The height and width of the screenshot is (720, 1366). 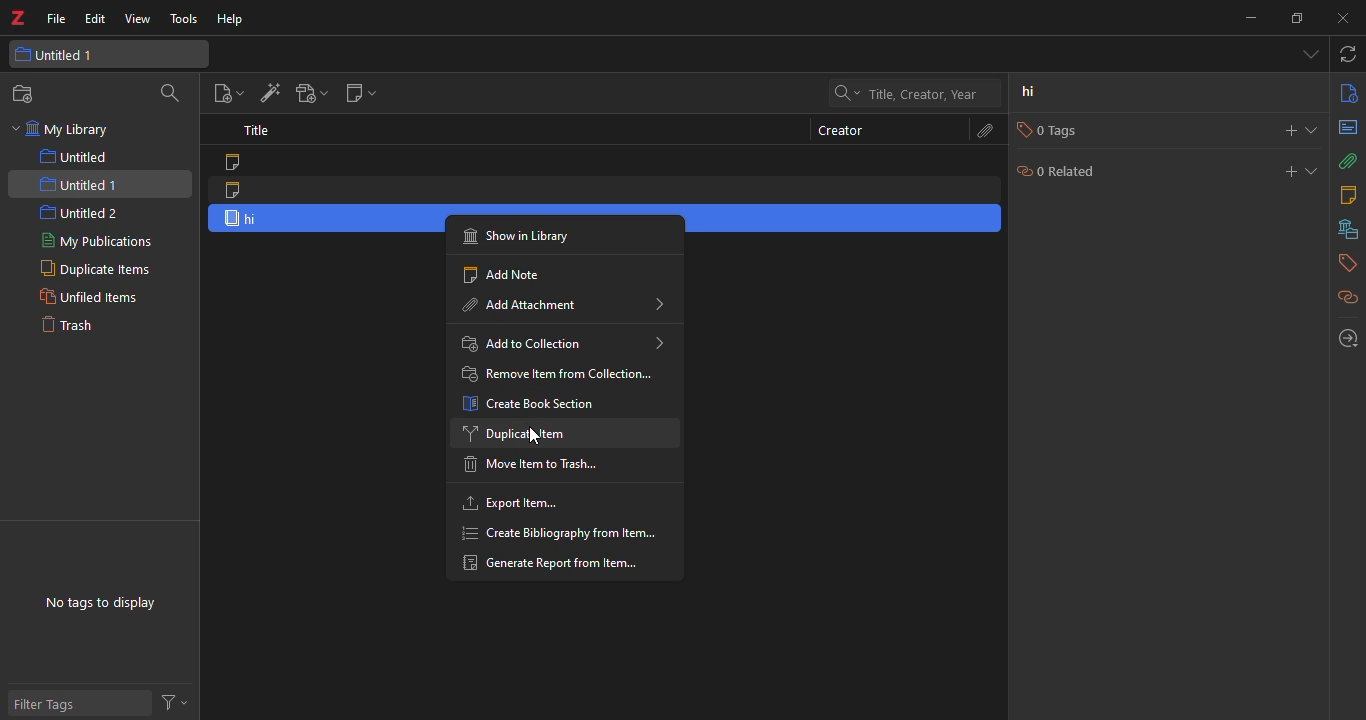 What do you see at coordinates (532, 463) in the screenshot?
I see `move item to trash` at bounding box center [532, 463].